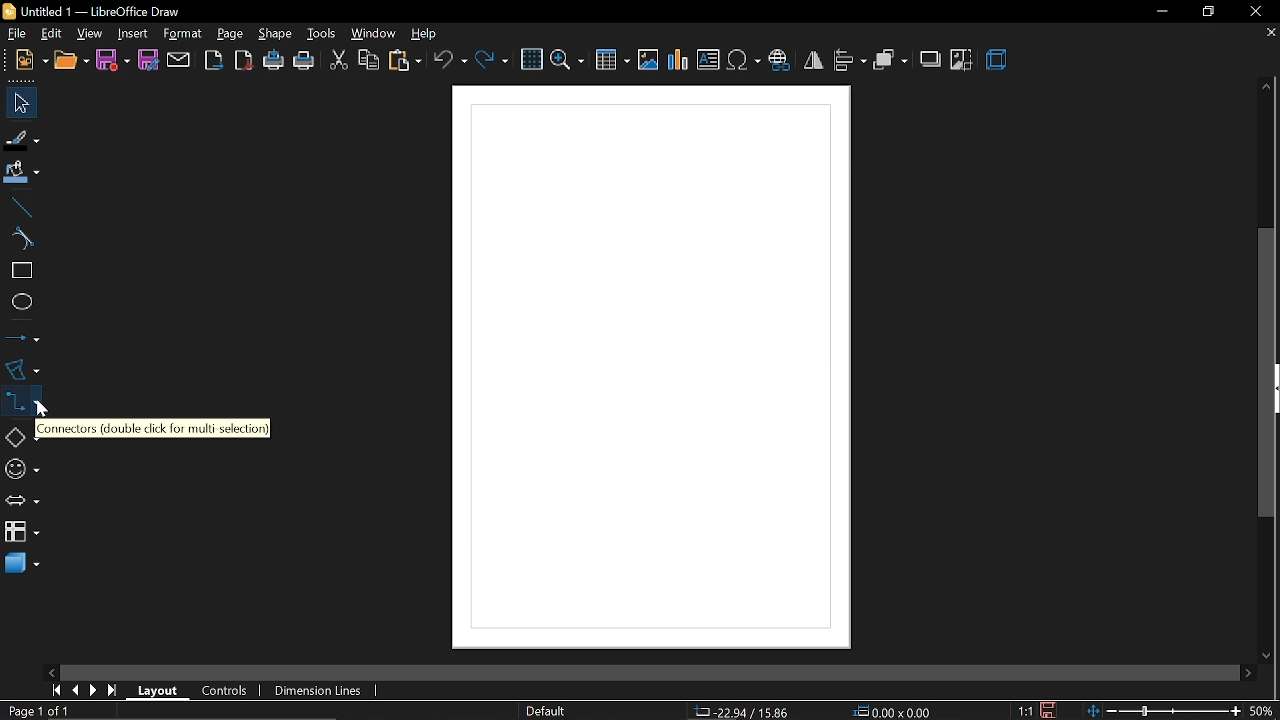  Describe the element at coordinates (74, 691) in the screenshot. I see `previous page` at that location.